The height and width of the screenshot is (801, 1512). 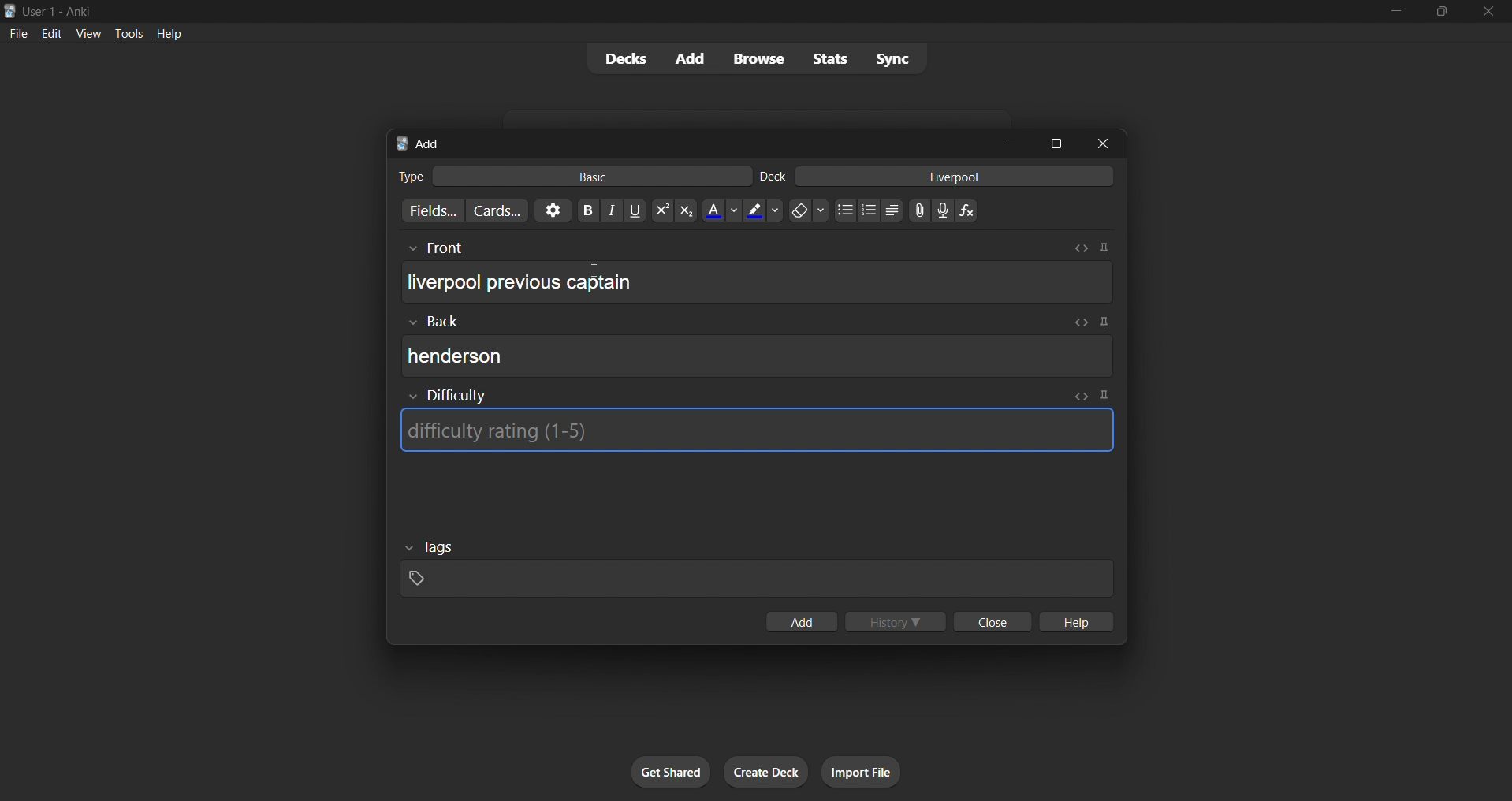 I want to click on card type input box, so click(x=565, y=173).